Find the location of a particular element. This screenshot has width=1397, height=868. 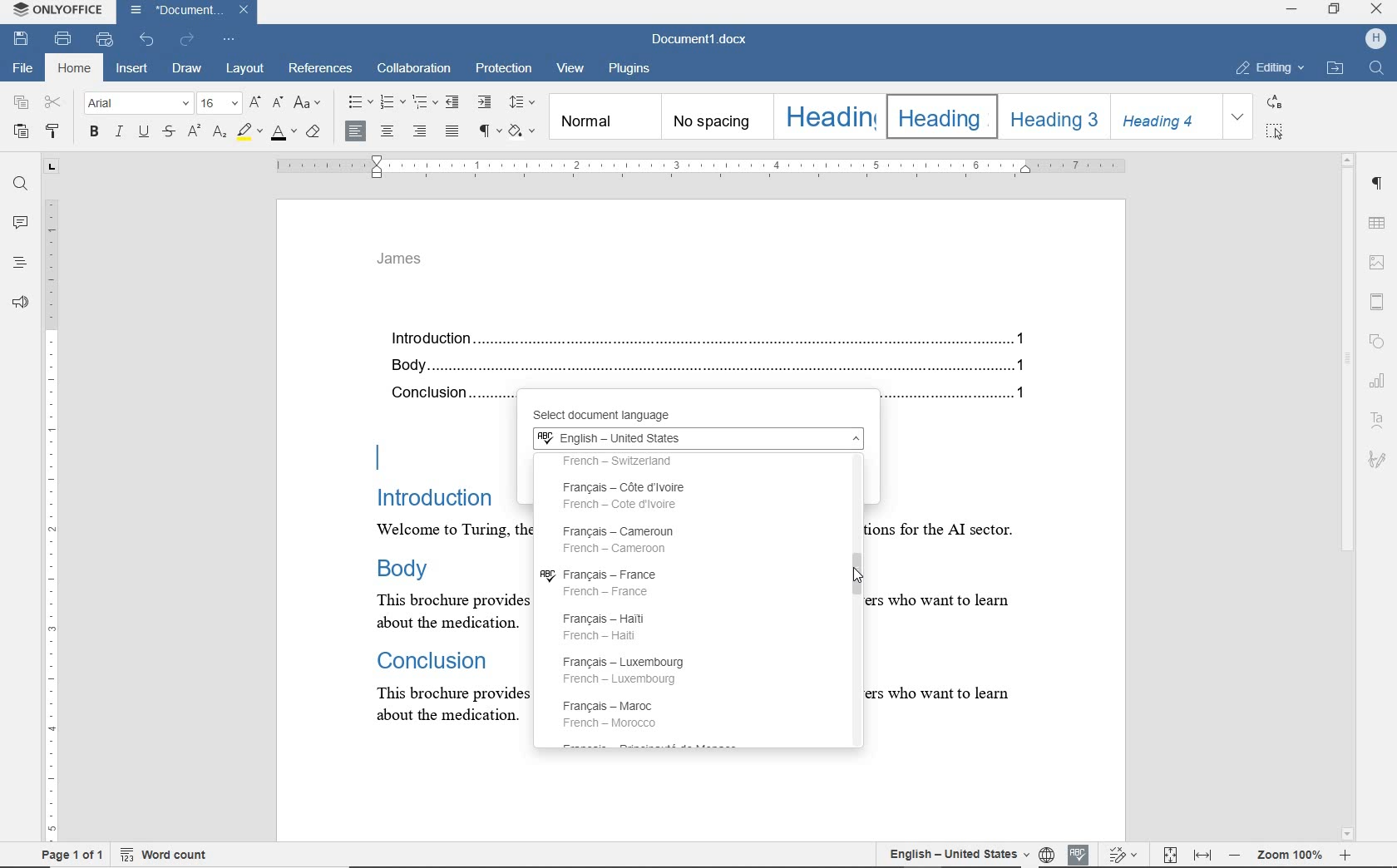

MINIMIZE is located at coordinates (1292, 12).